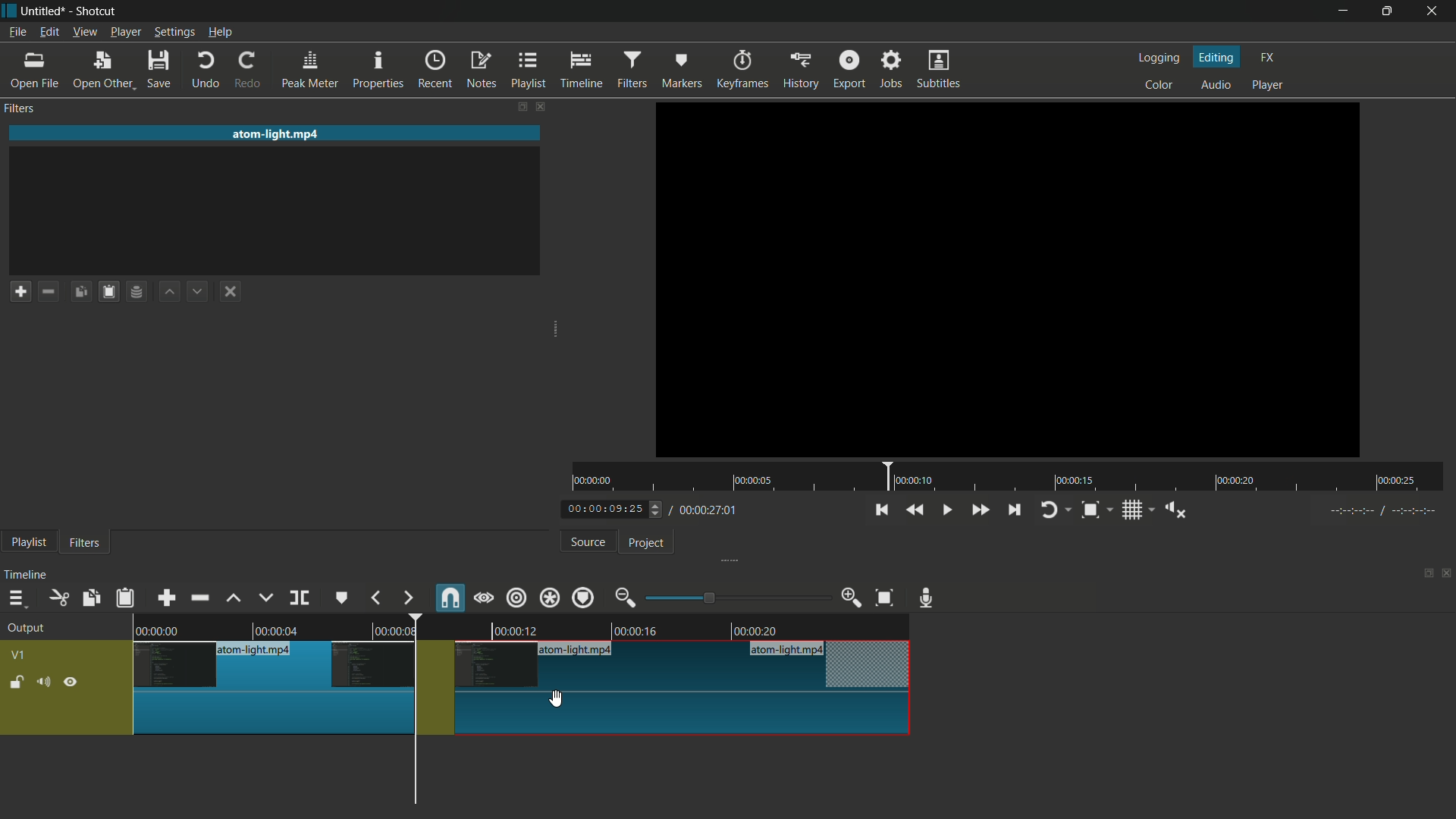 Image resolution: width=1456 pixels, height=819 pixels. I want to click on view menu, so click(83, 33).